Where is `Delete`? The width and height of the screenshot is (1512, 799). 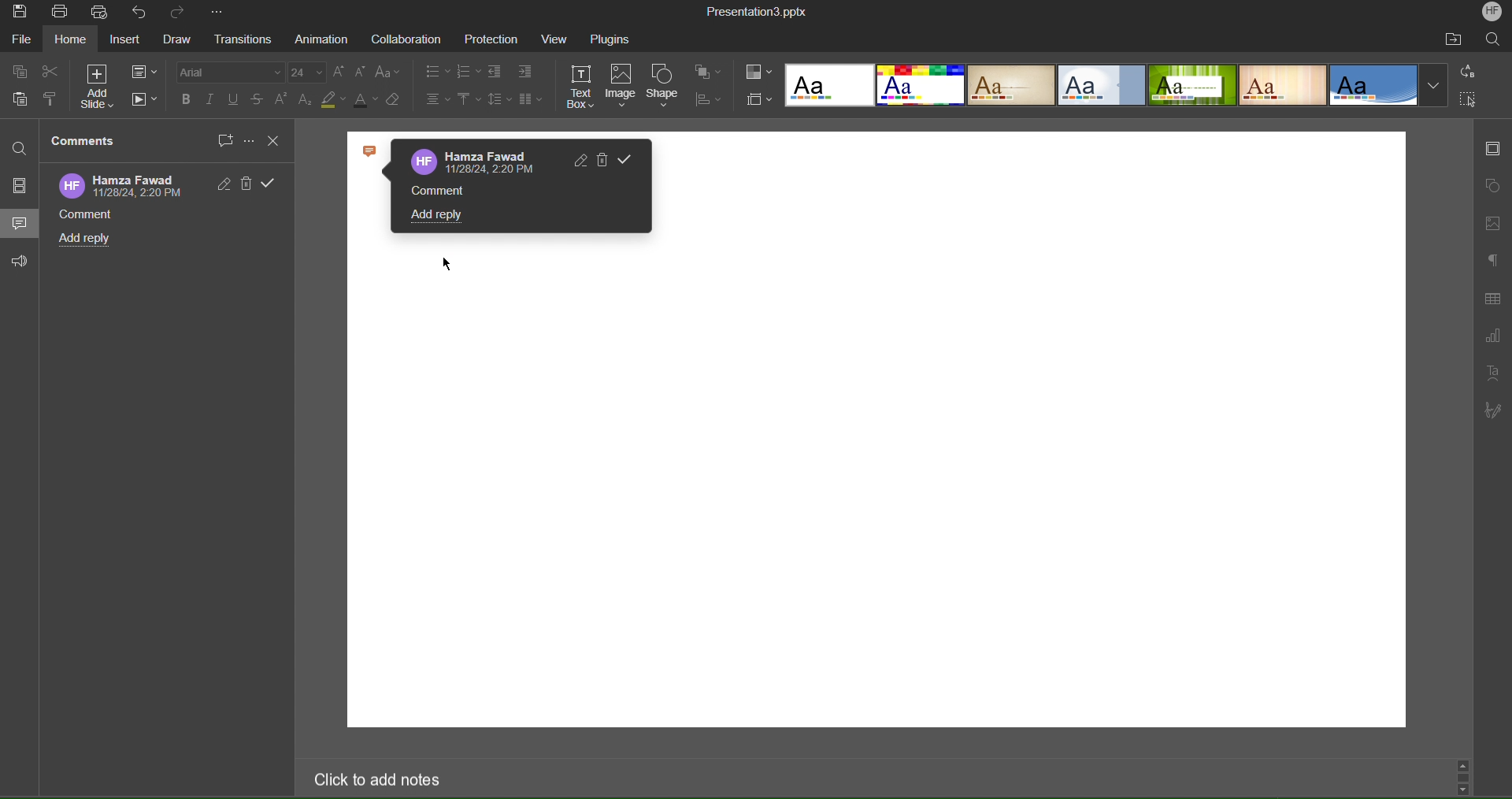 Delete is located at coordinates (603, 161).